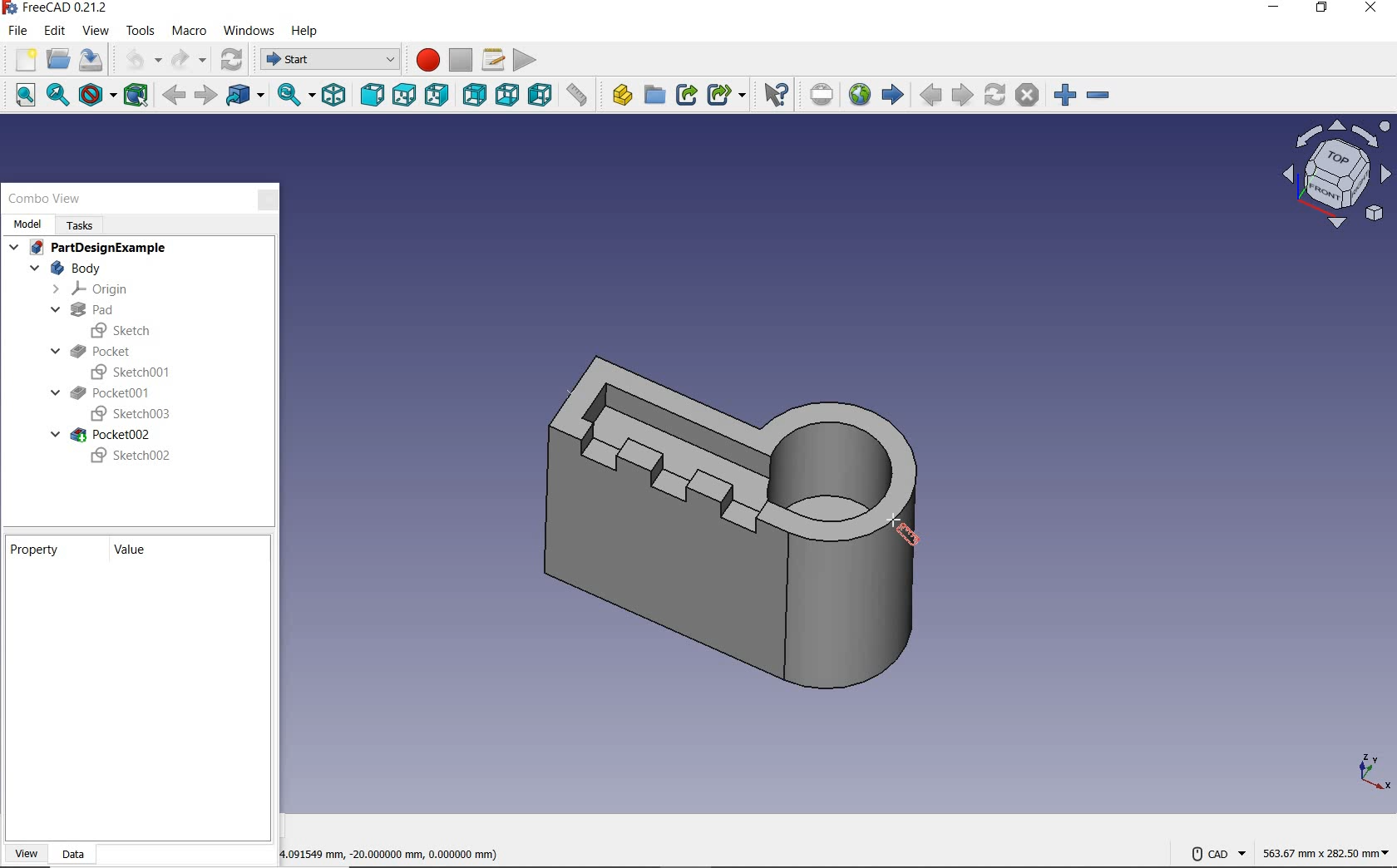 This screenshot has width=1397, height=868. Describe the element at coordinates (82, 224) in the screenshot. I see `TASKS` at that location.